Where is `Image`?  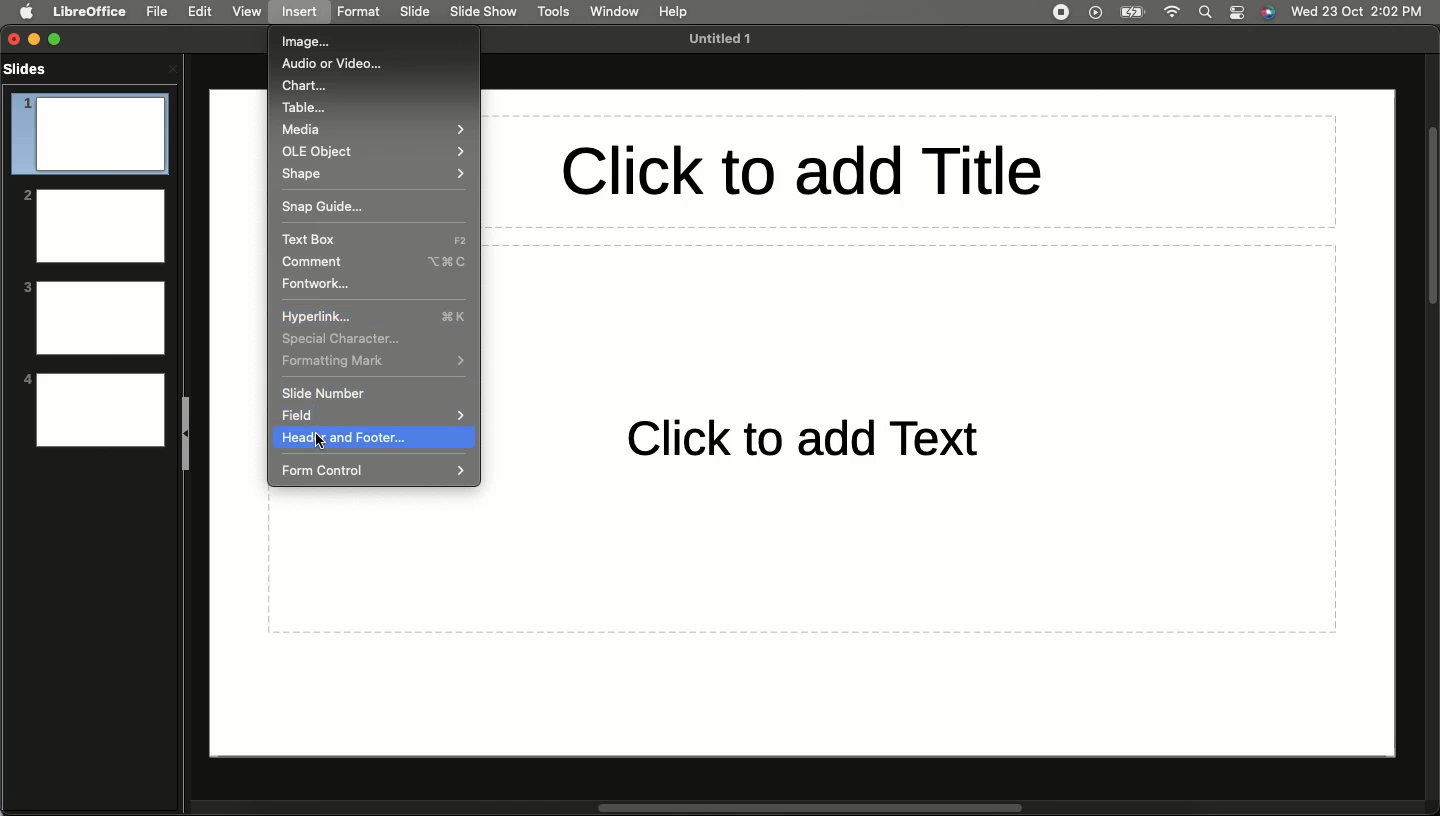
Image is located at coordinates (315, 43).